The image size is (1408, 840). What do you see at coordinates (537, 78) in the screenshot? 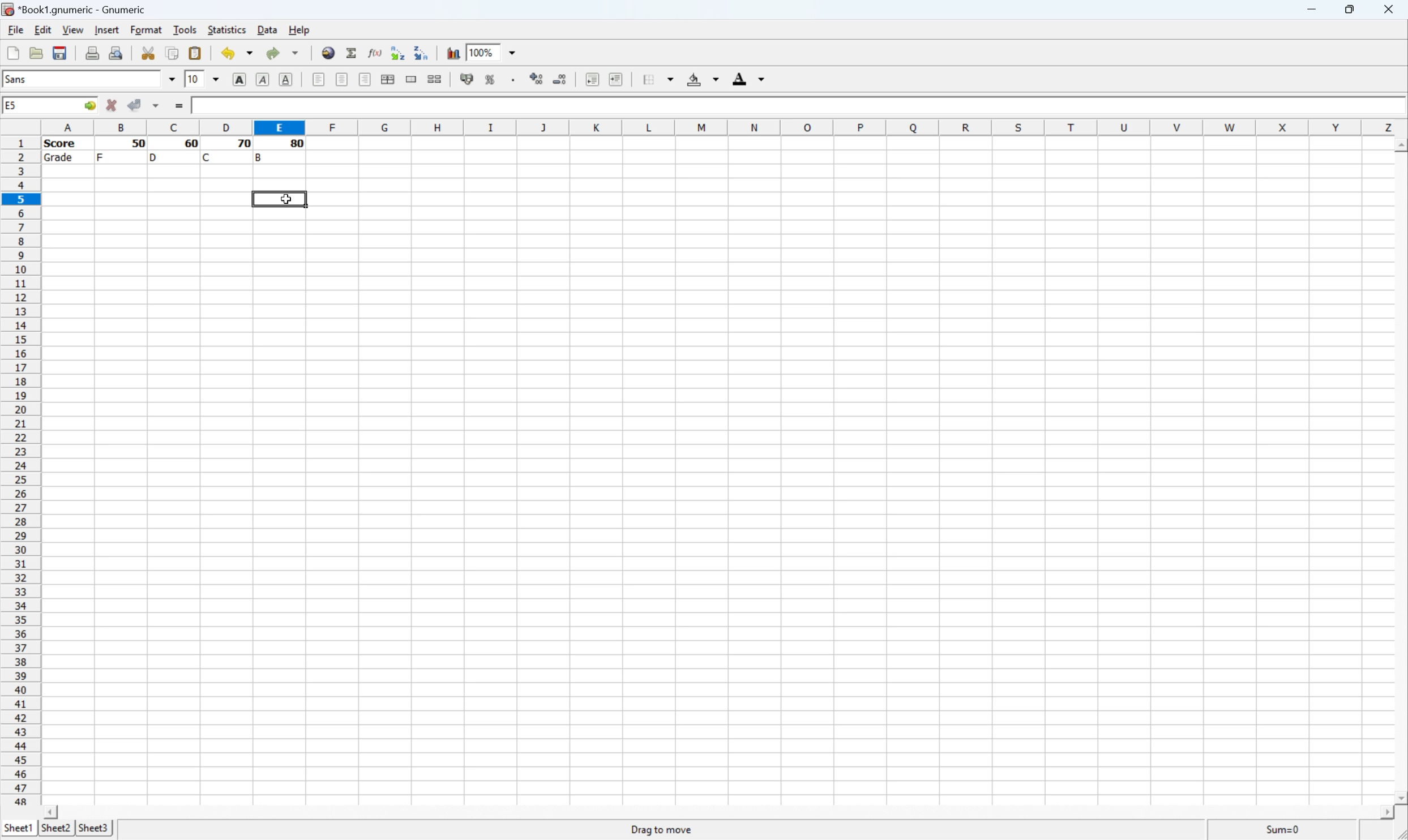
I see `Increase the number of decimals displayed` at bounding box center [537, 78].